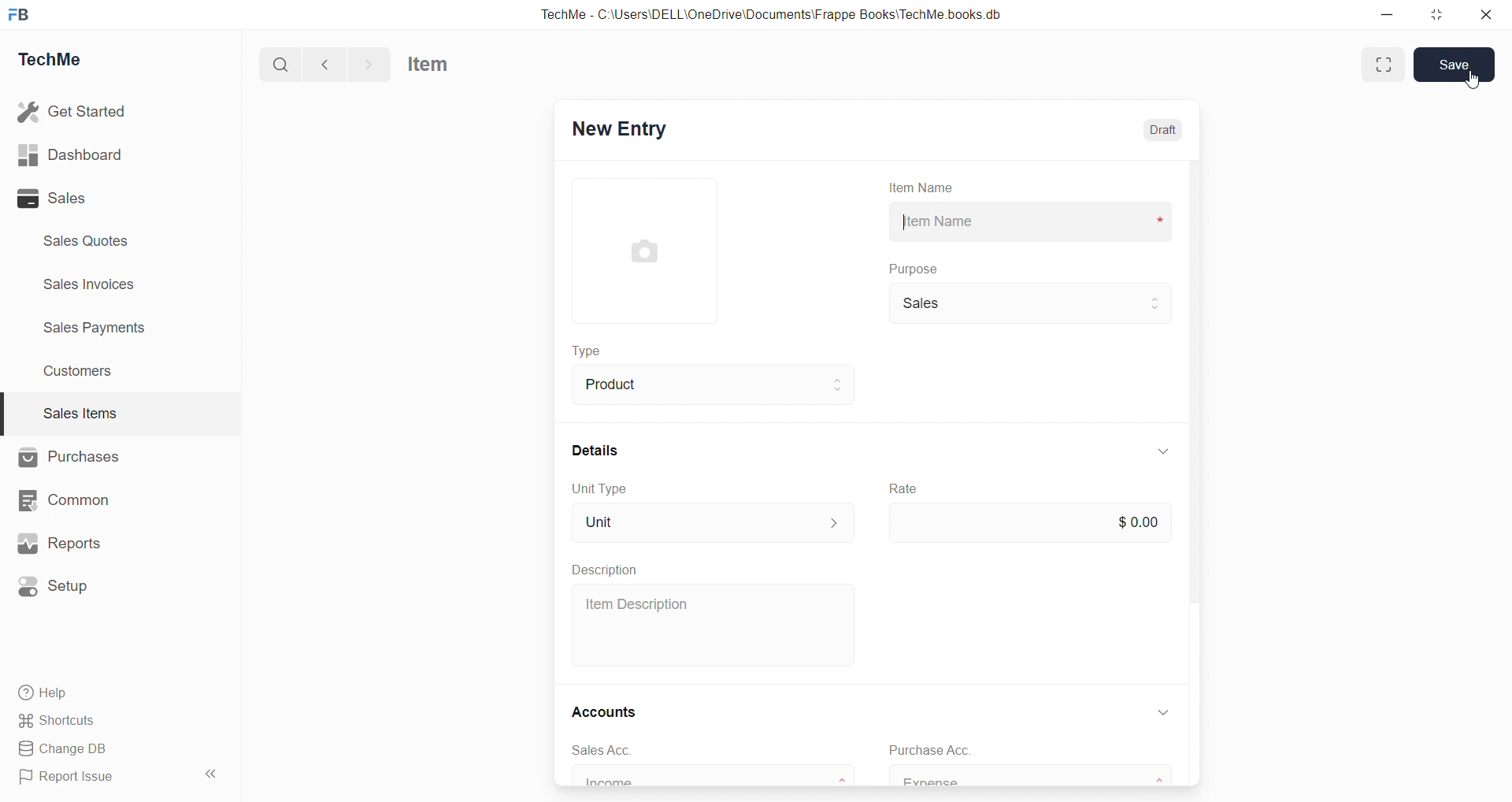 This screenshot has width=1512, height=802. What do you see at coordinates (930, 751) in the screenshot?
I see `Purchase Acc` at bounding box center [930, 751].